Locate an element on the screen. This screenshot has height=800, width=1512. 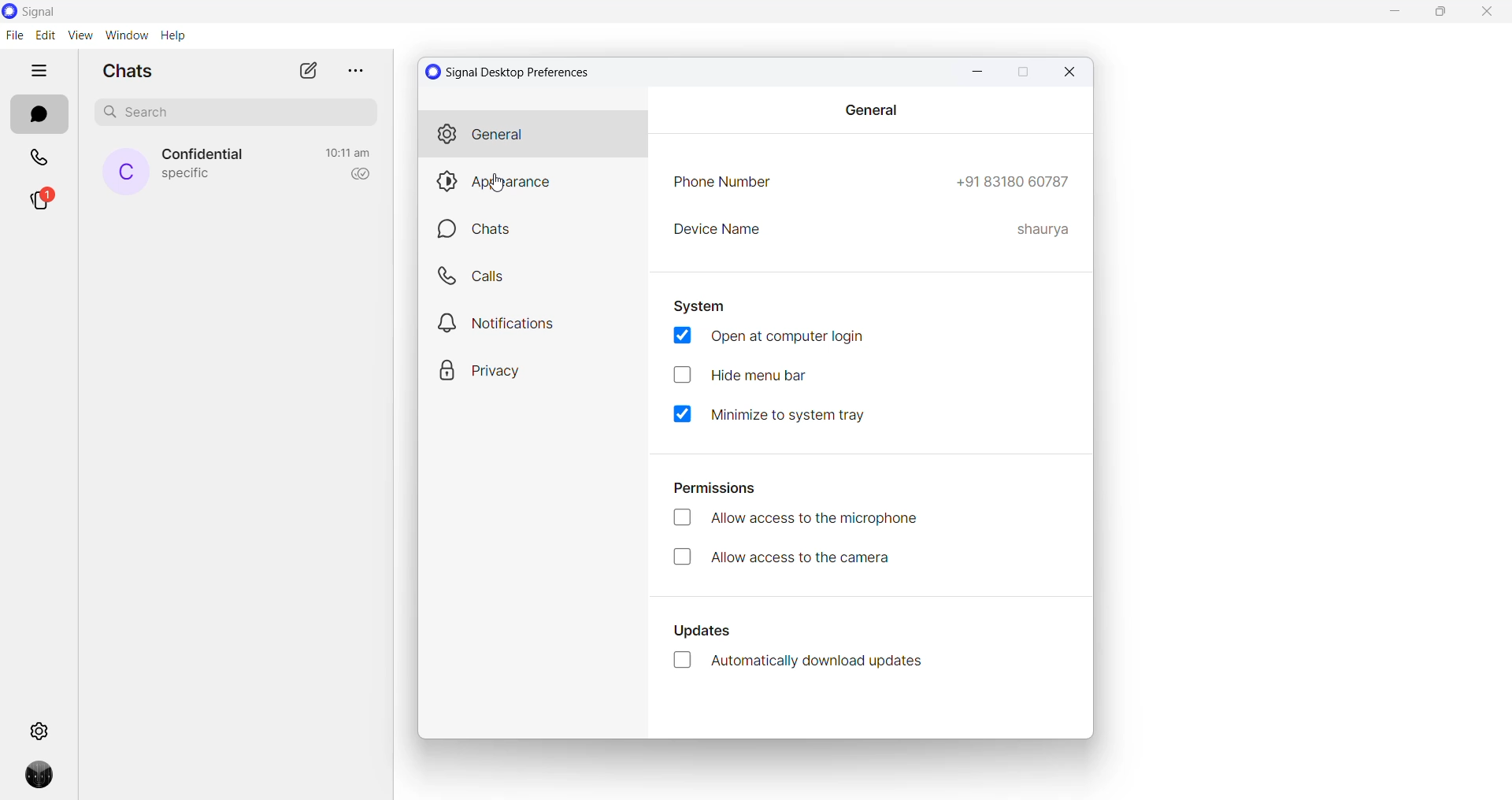
general is located at coordinates (532, 135).